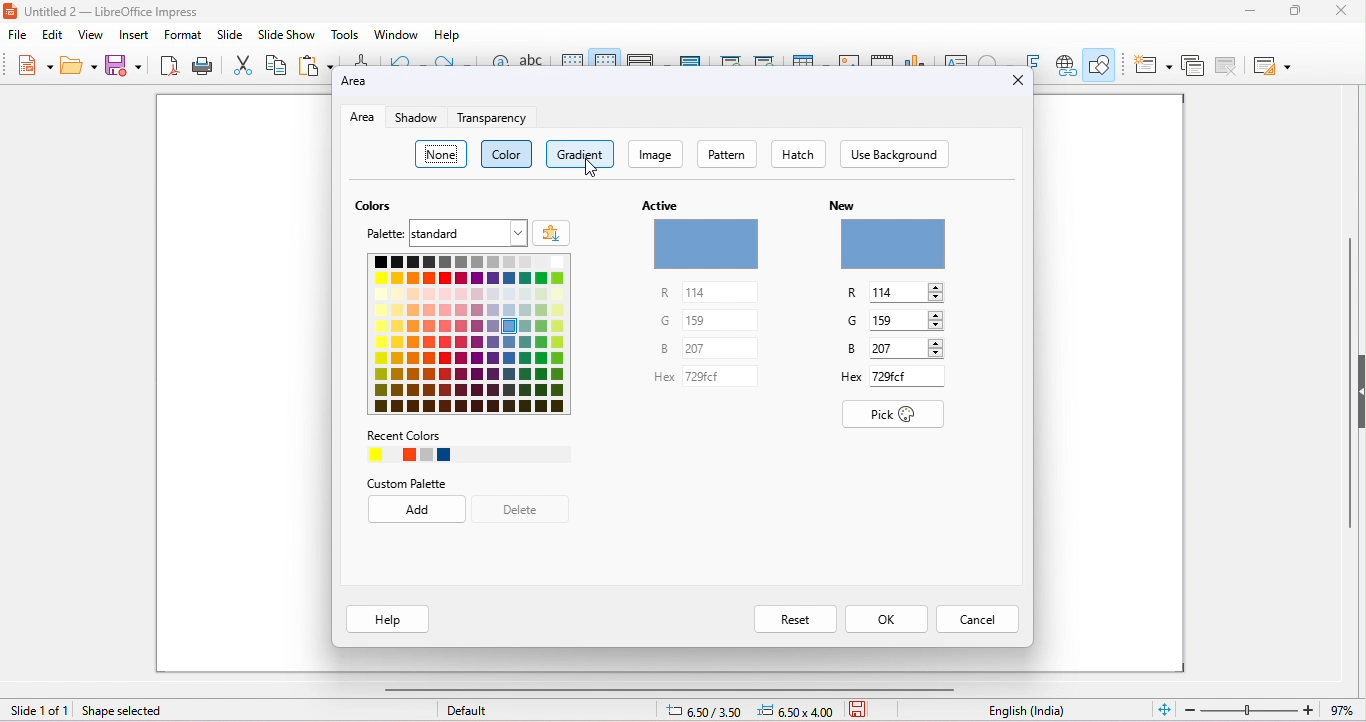 This screenshot has width=1366, height=722. Describe the element at coordinates (654, 351) in the screenshot. I see `b` at that location.